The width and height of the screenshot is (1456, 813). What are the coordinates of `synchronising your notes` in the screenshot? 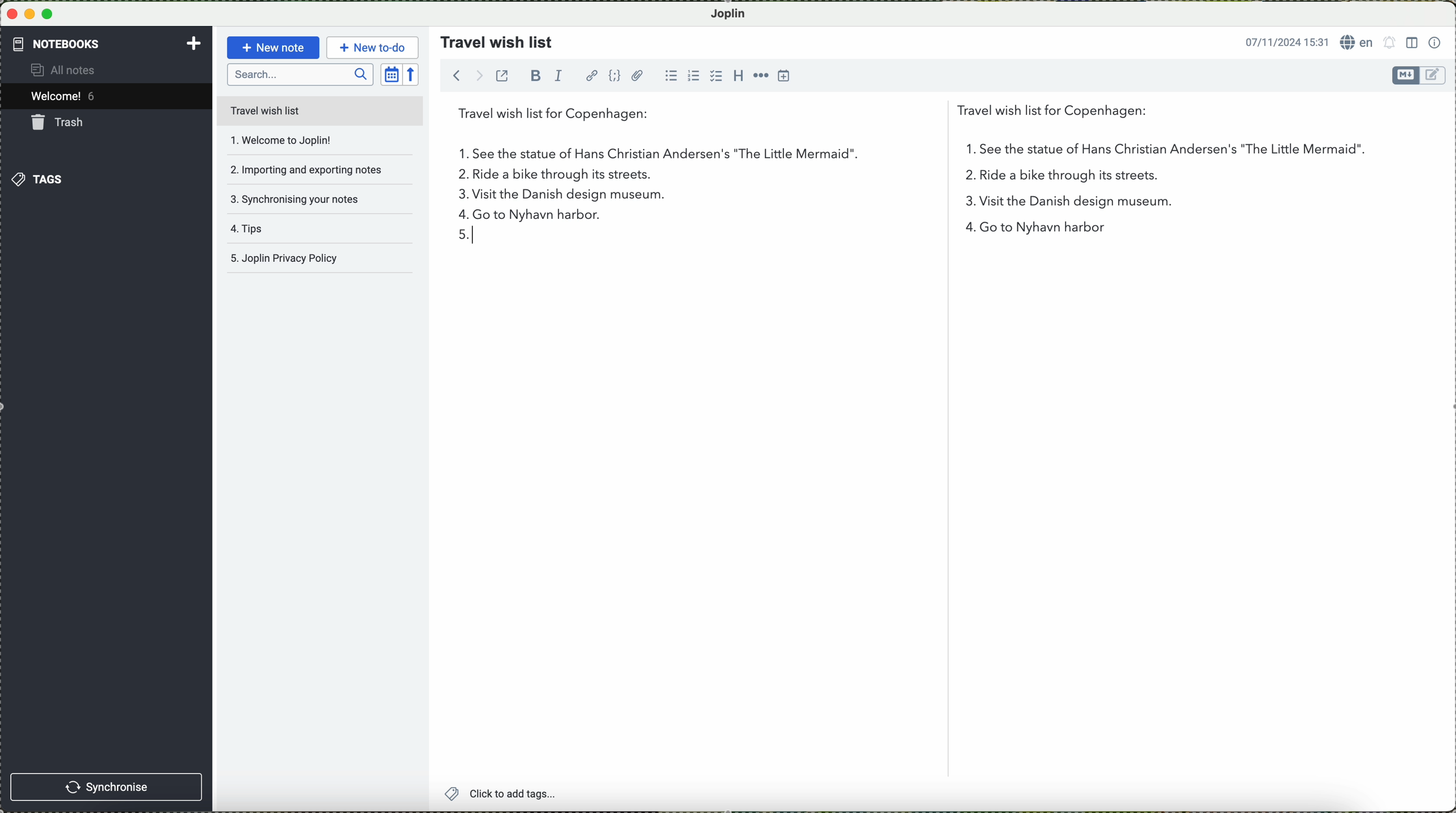 It's located at (304, 198).